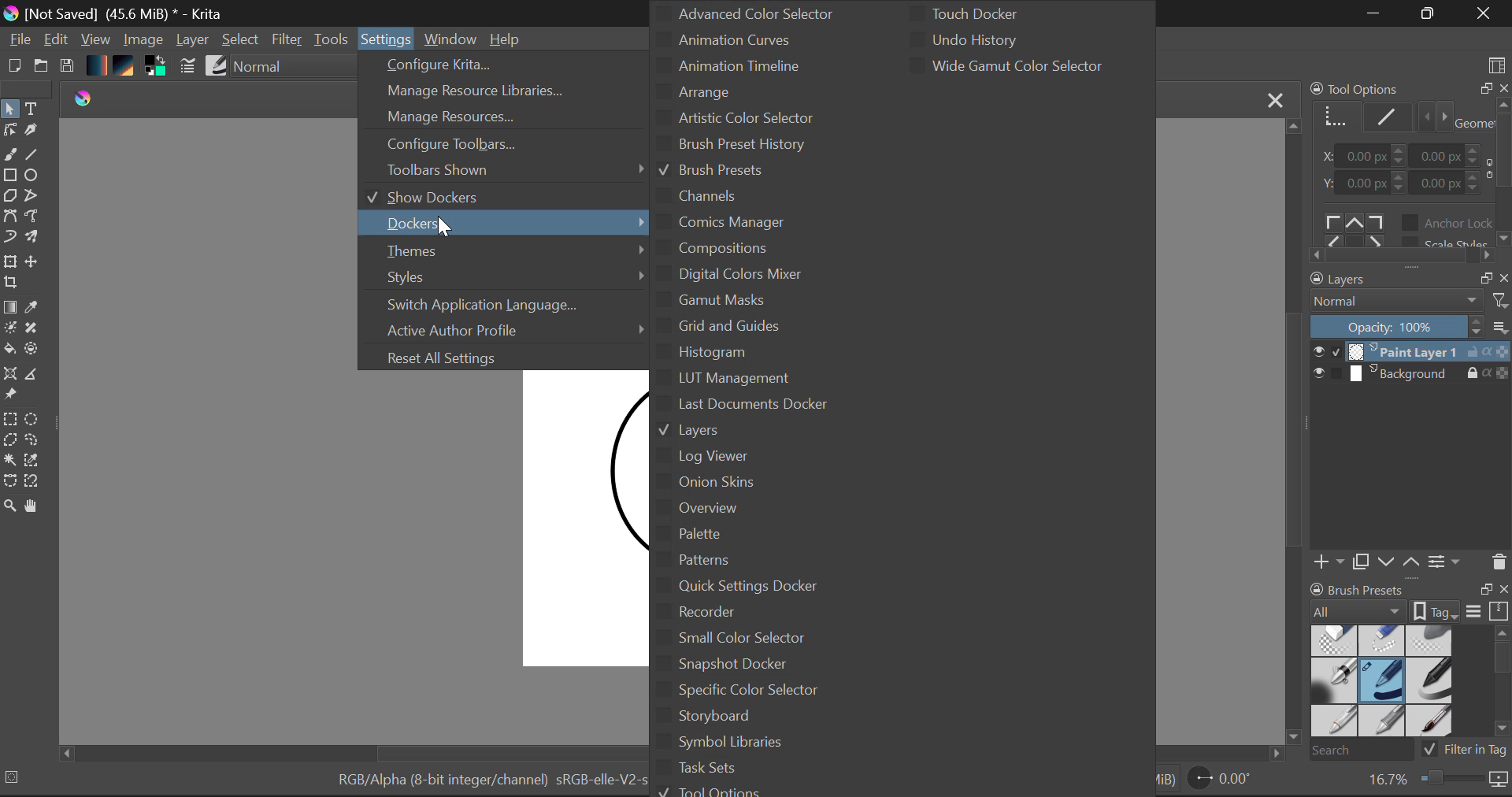 Image resolution: width=1512 pixels, height=797 pixels. What do you see at coordinates (38, 218) in the screenshot?
I see `Freehand Path Tool` at bounding box center [38, 218].